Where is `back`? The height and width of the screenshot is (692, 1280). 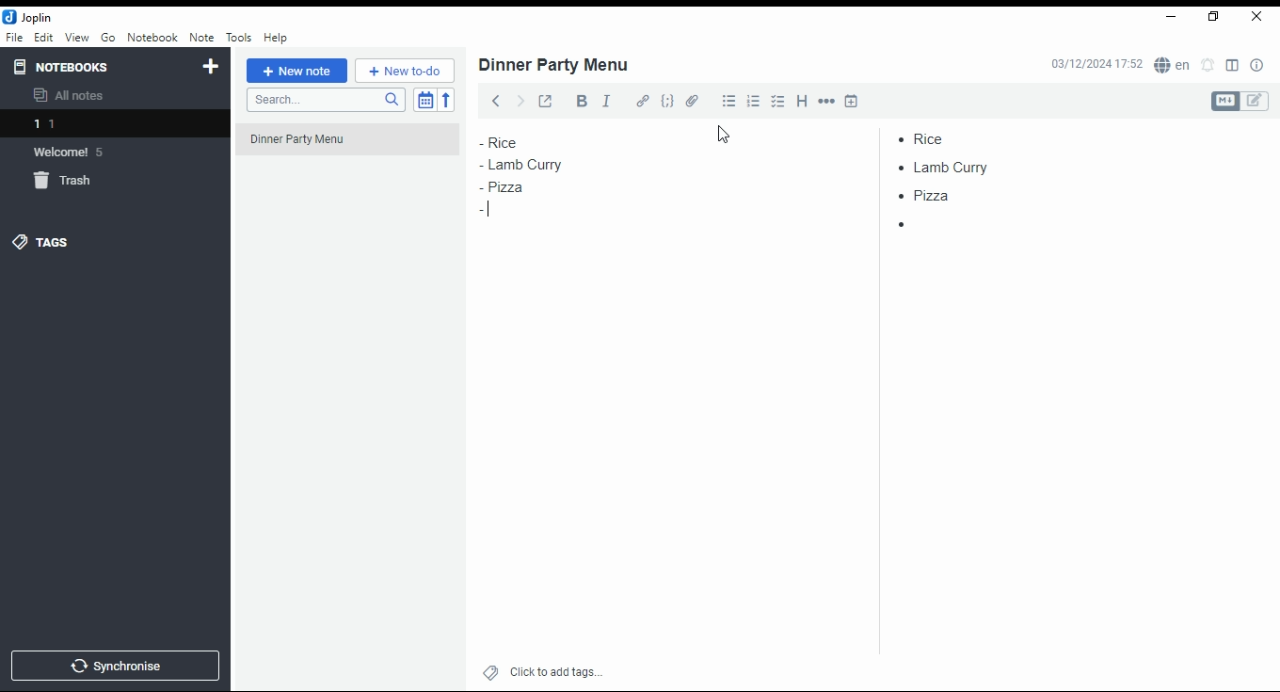
back is located at coordinates (492, 99).